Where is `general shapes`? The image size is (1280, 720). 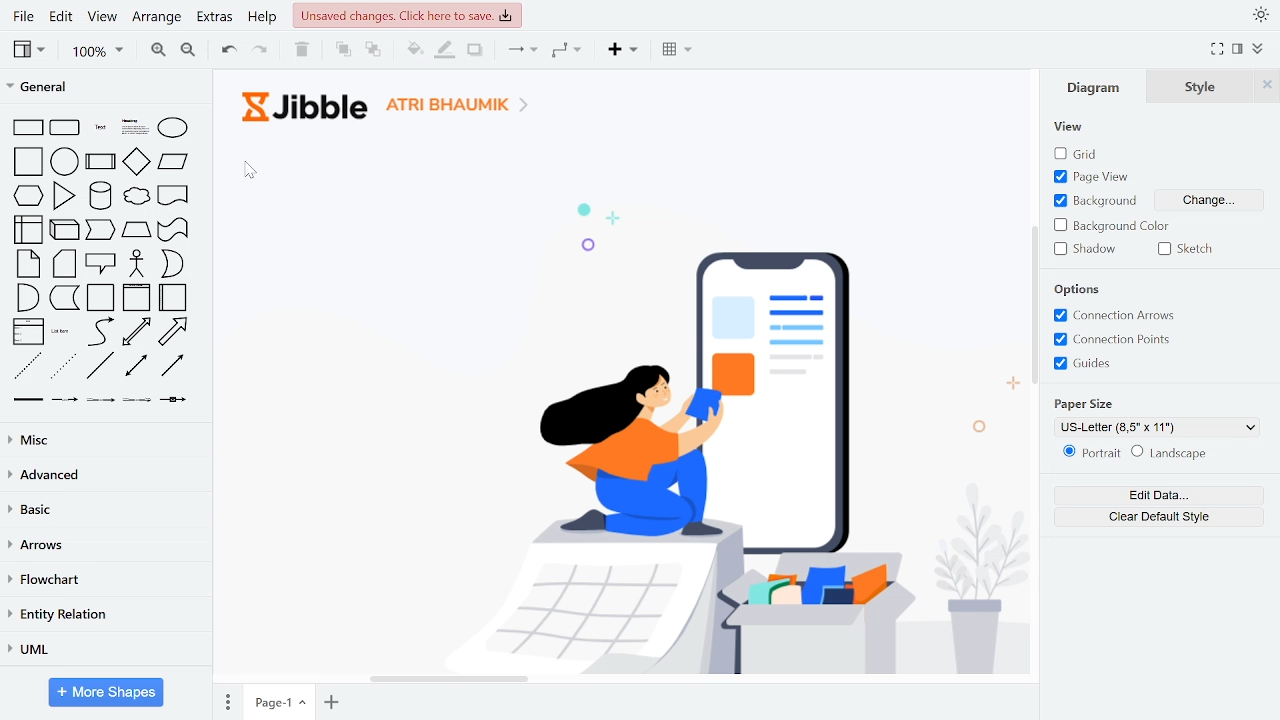
general shapes is located at coordinates (29, 227).